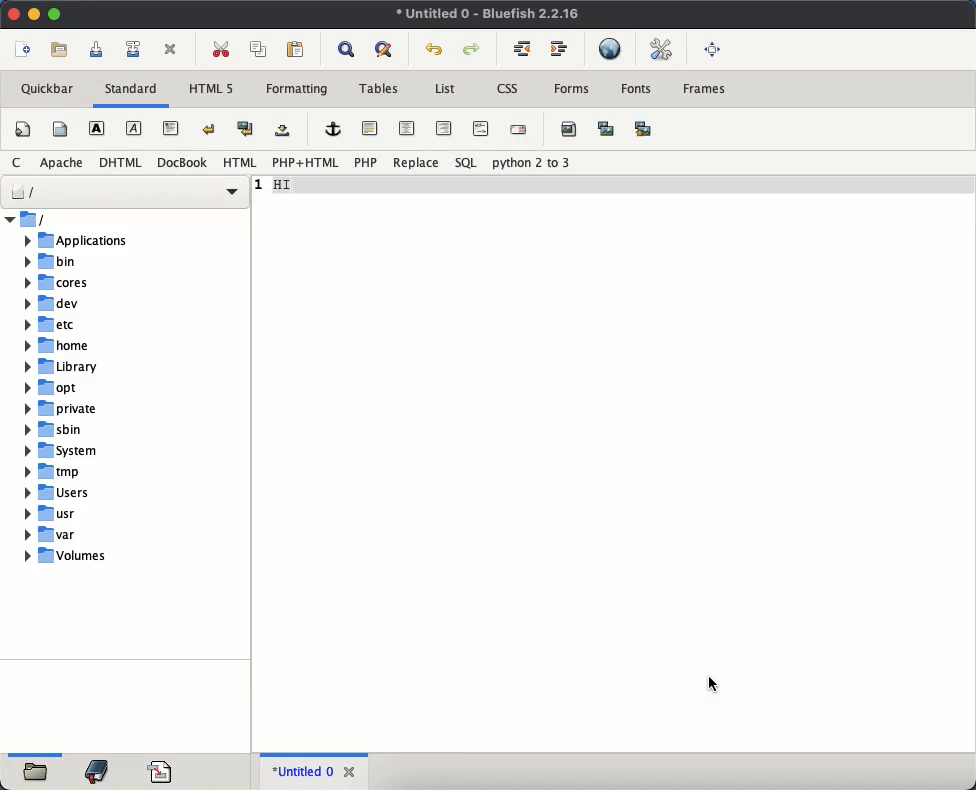 The height and width of the screenshot is (790, 976). What do you see at coordinates (120, 162) in the screenshot?
I see `html` at bounding box center [120, 162].